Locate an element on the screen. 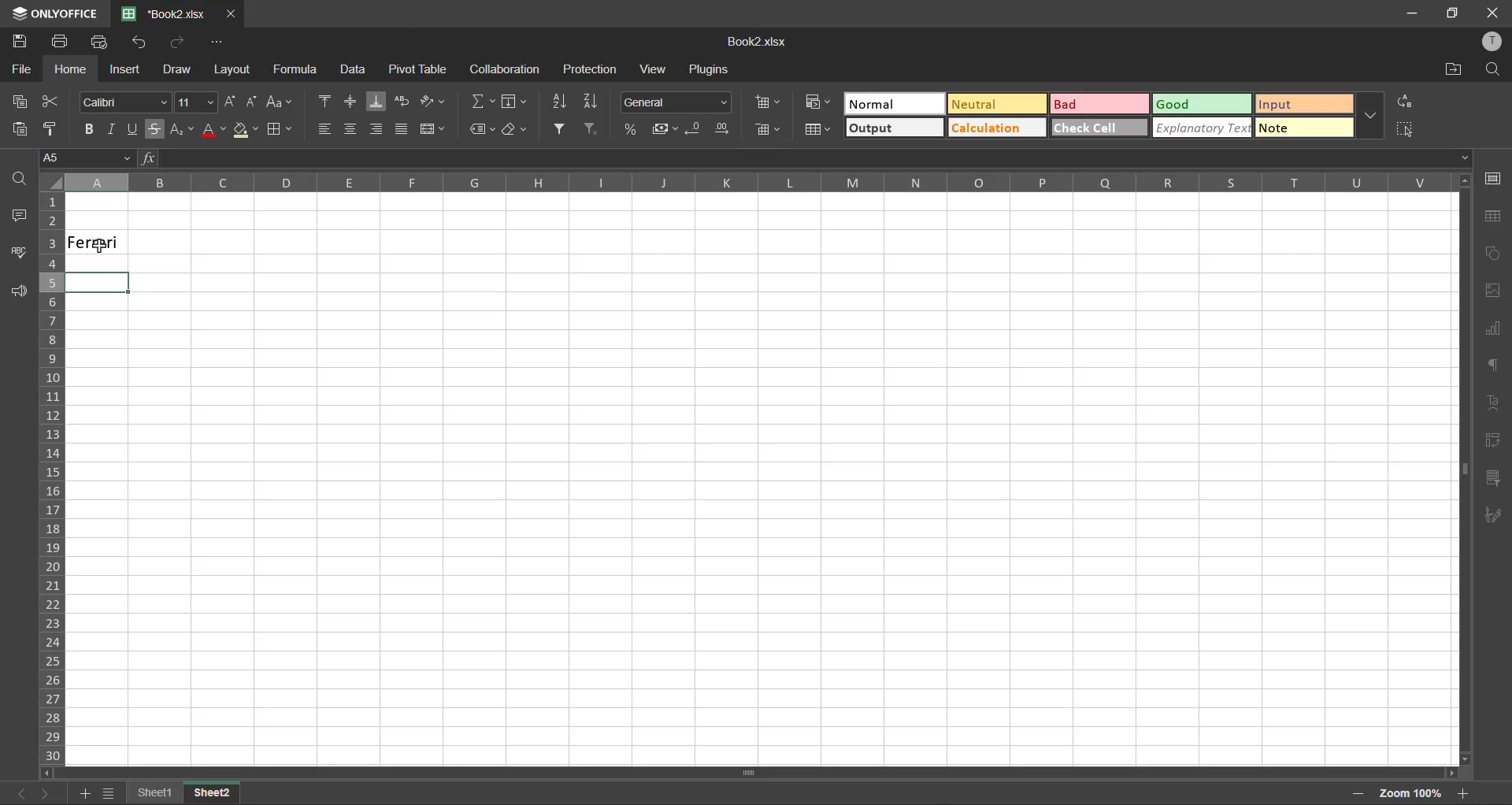 This screenshot has height=805, width=1512. previous is located at coordinates (18, 793).